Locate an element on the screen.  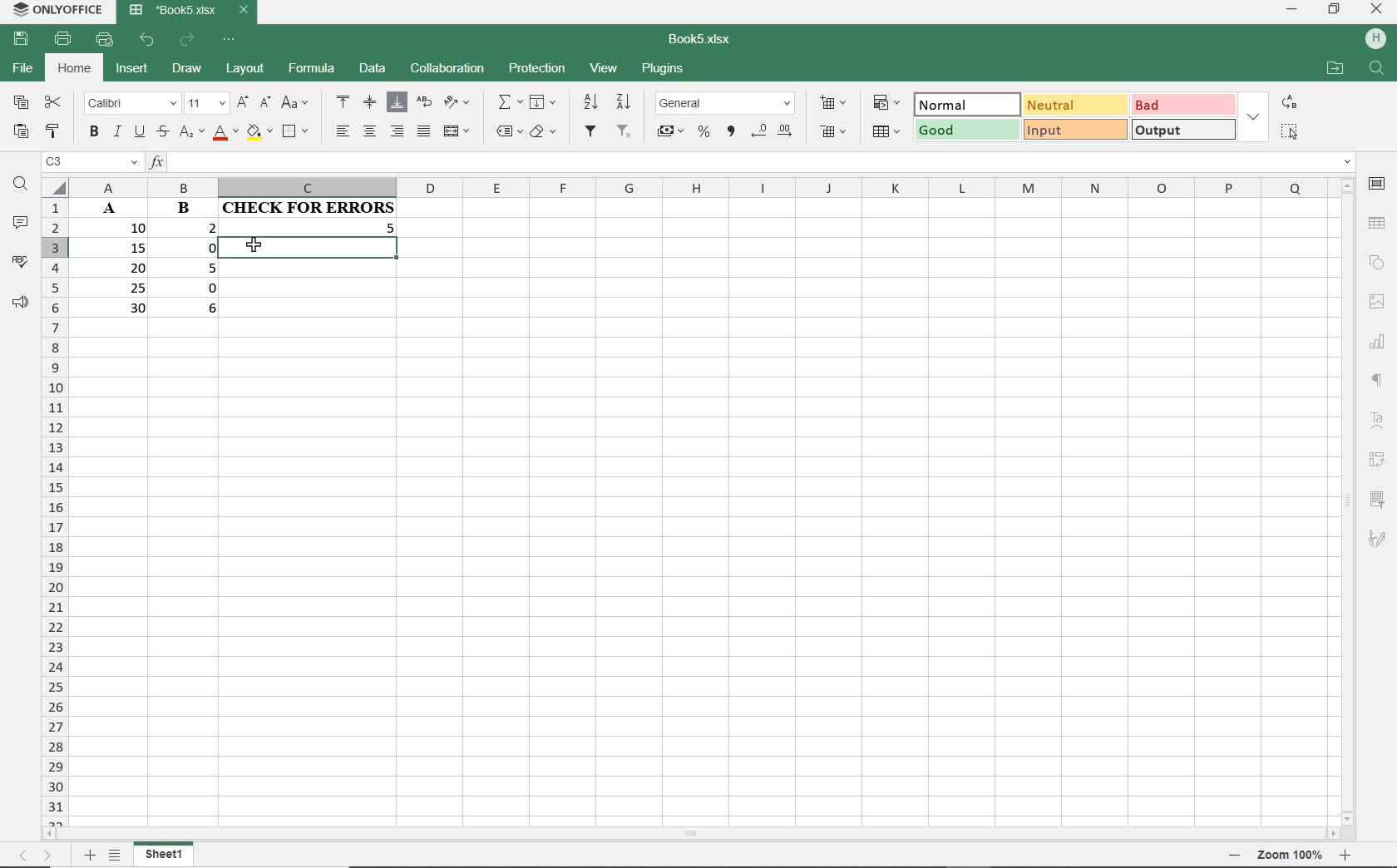
CURSOR is located at coordinates (255, 245).